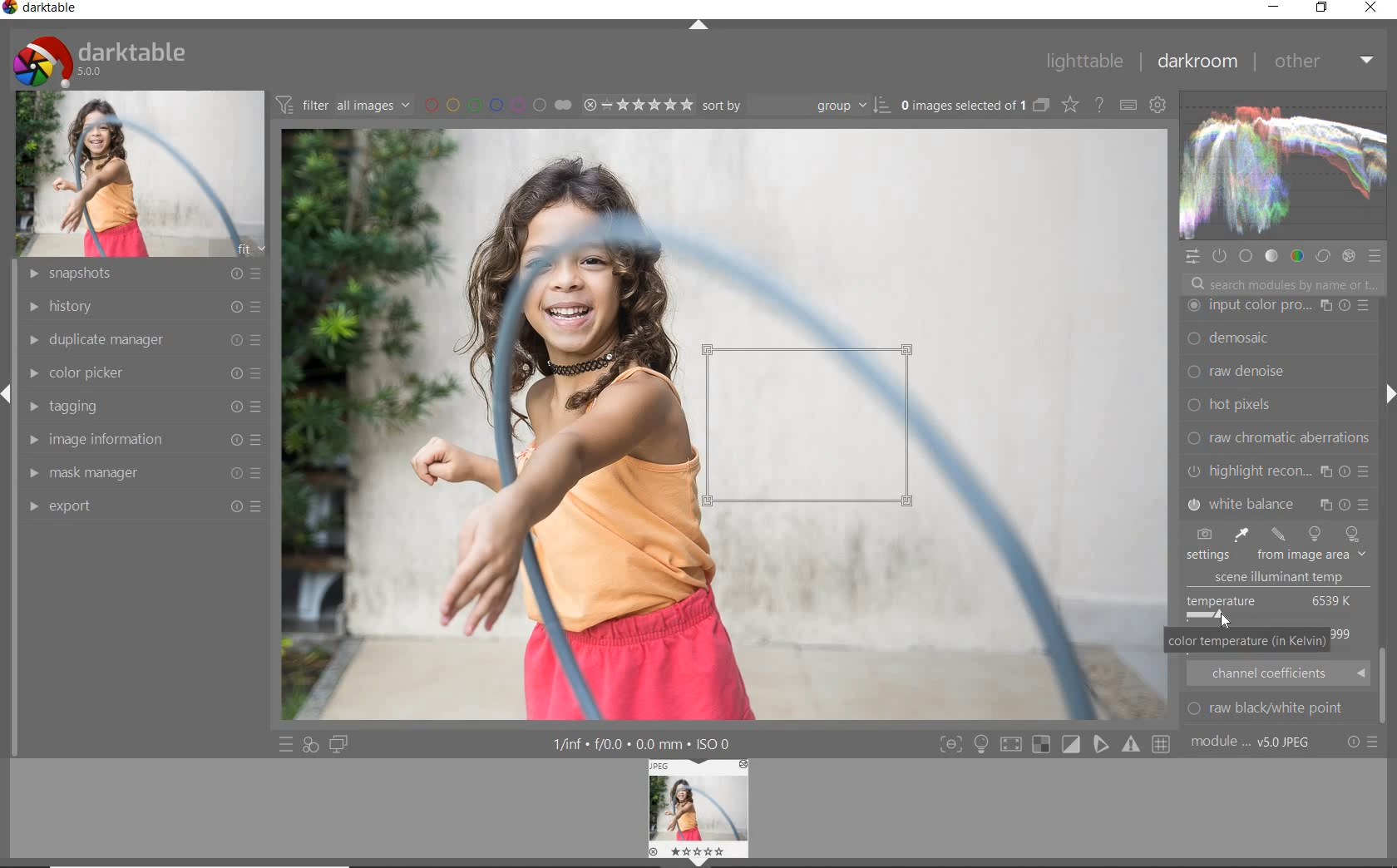 The height and width of the screenshot is (868, 1397). What do you see at coordinates (817, 431) in the screenshot?
I see `PICKER TOOL ACTIVATED` at bounding box center [817, 431].